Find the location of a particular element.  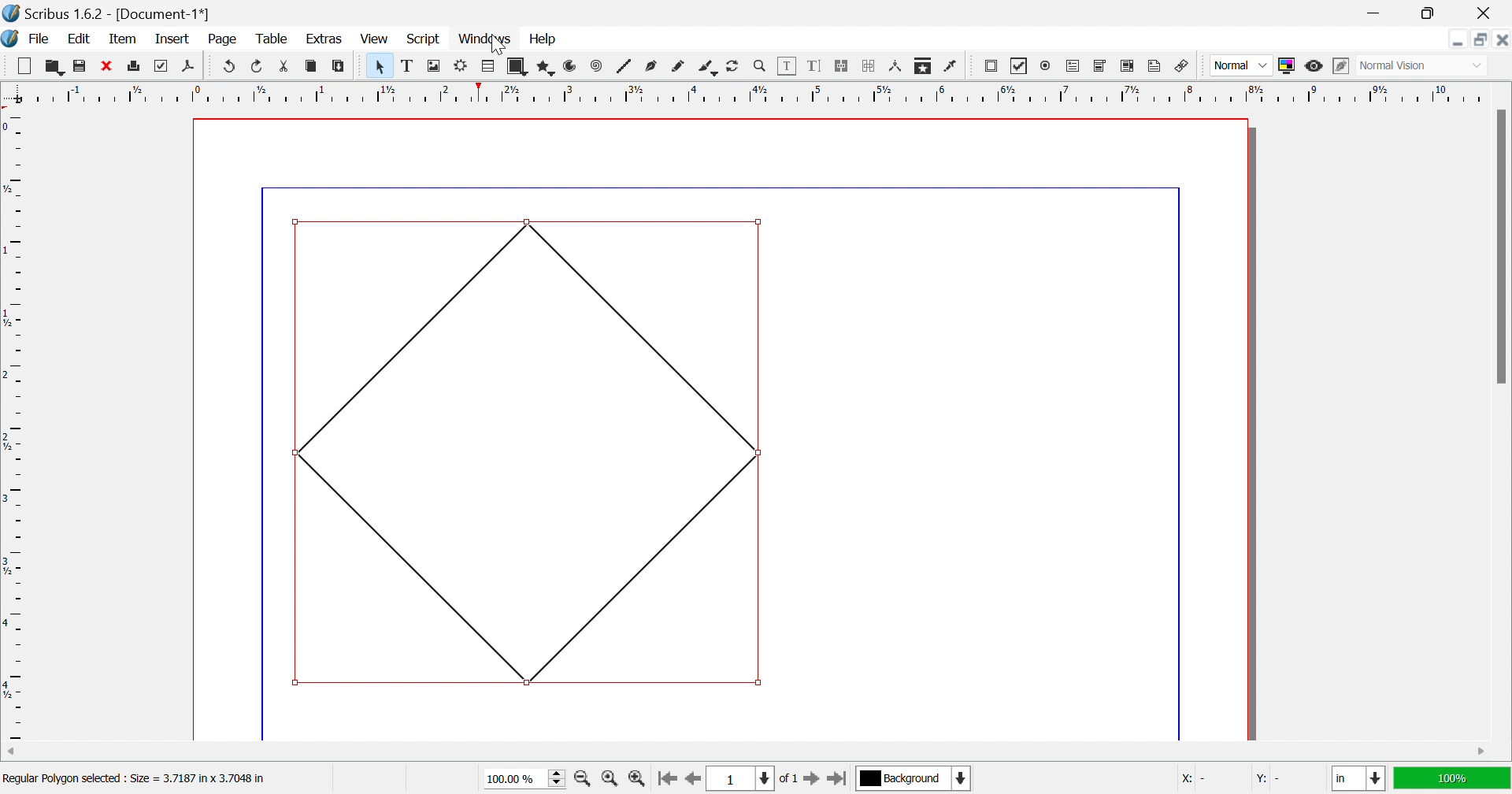

Ruler is located at coordinates (14, 425).